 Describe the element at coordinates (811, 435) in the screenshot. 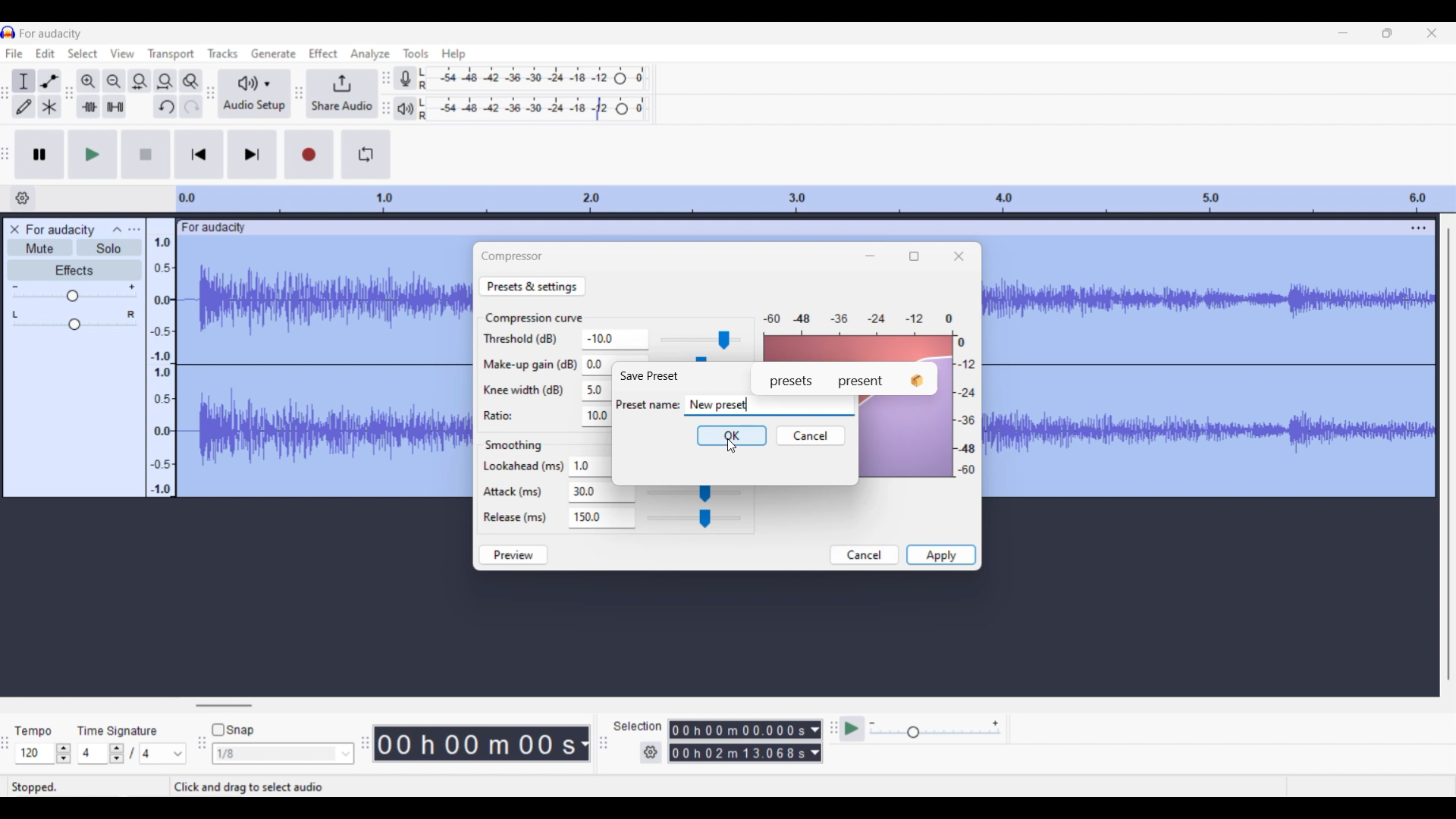

I see `Cancel` at that location.